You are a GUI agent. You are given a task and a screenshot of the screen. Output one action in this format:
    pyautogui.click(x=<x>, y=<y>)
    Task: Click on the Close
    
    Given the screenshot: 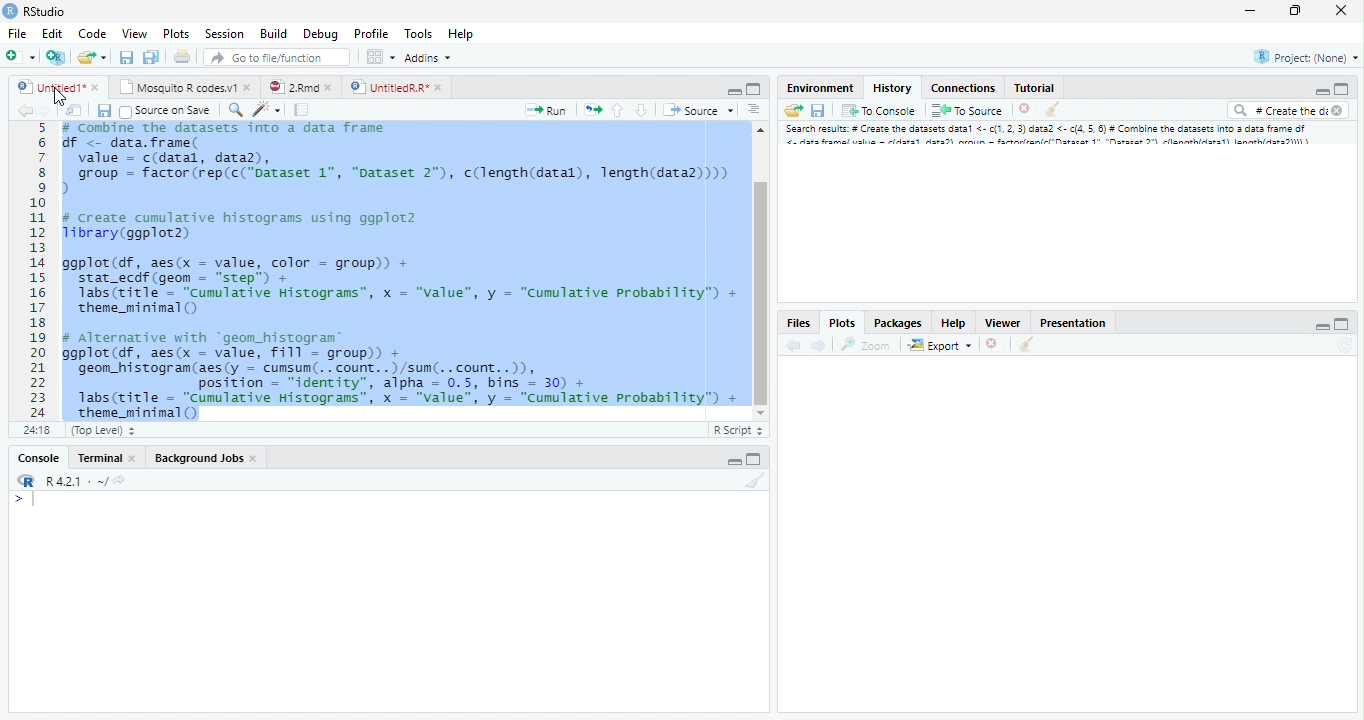 What is the action you would take?
    pyautogui.click(x=1339, y=10)
    